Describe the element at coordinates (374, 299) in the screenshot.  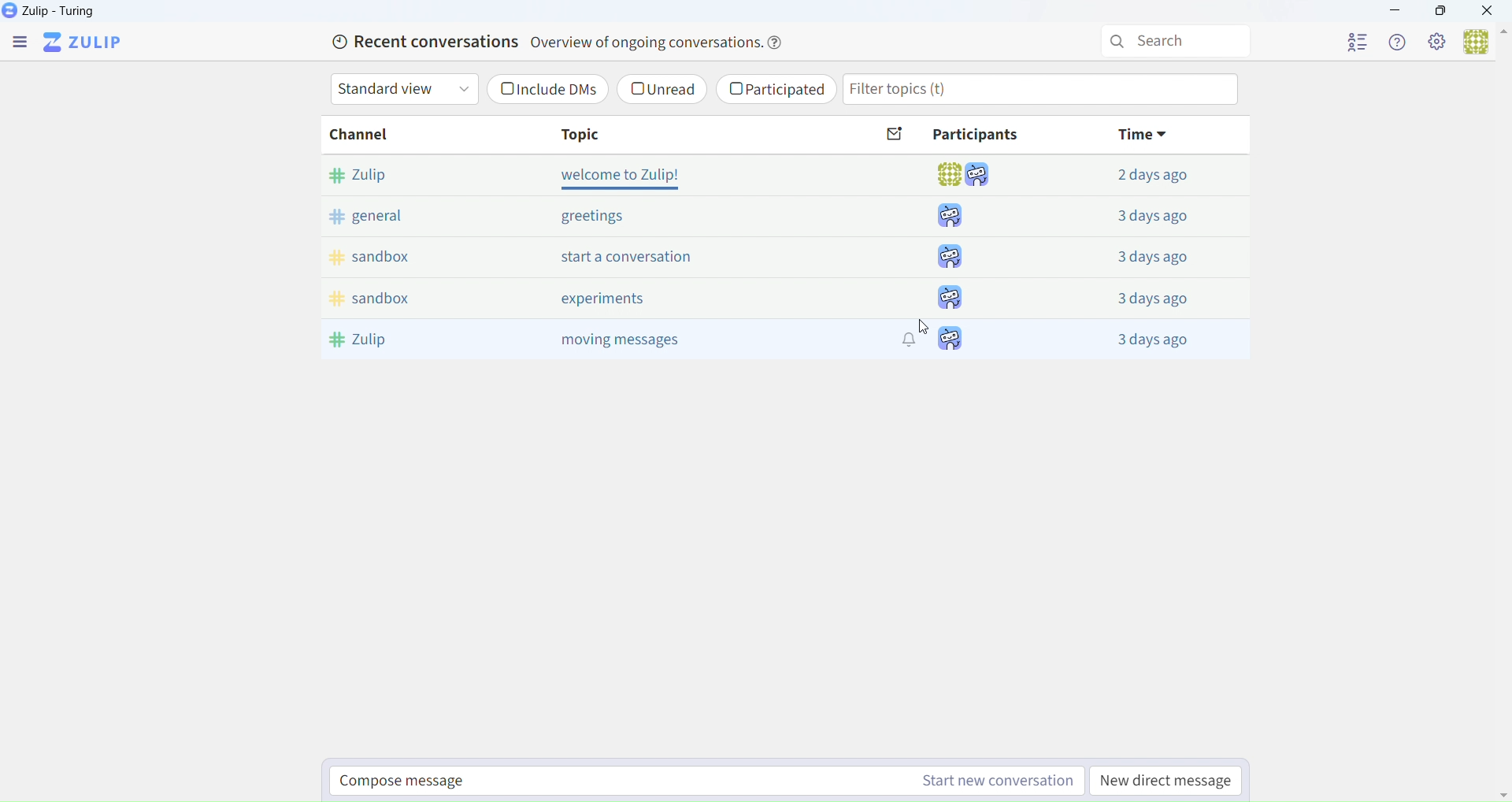
I see `sandbox` at that location.